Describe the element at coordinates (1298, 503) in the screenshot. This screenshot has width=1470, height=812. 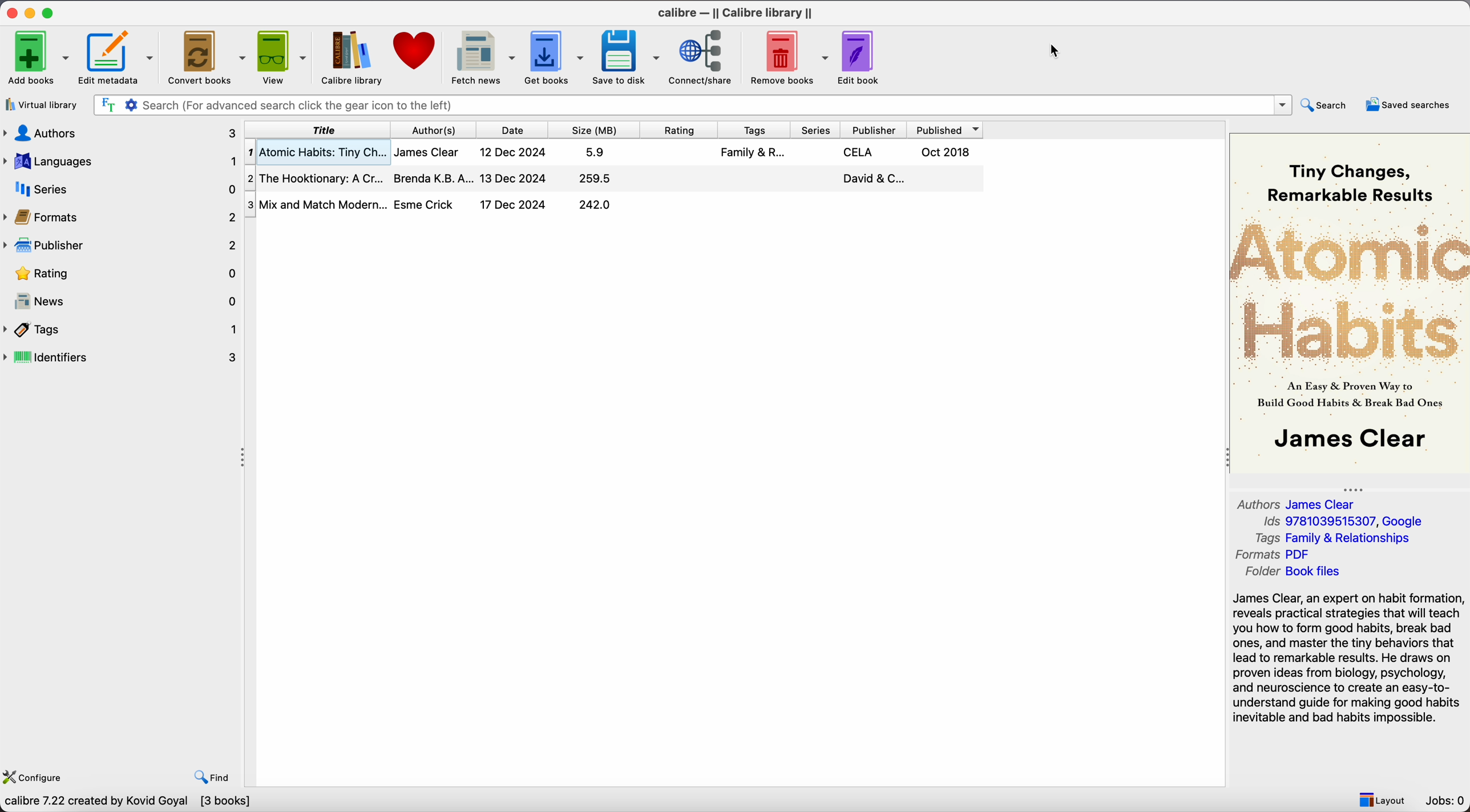
I see `Authors James Clear` at that location.